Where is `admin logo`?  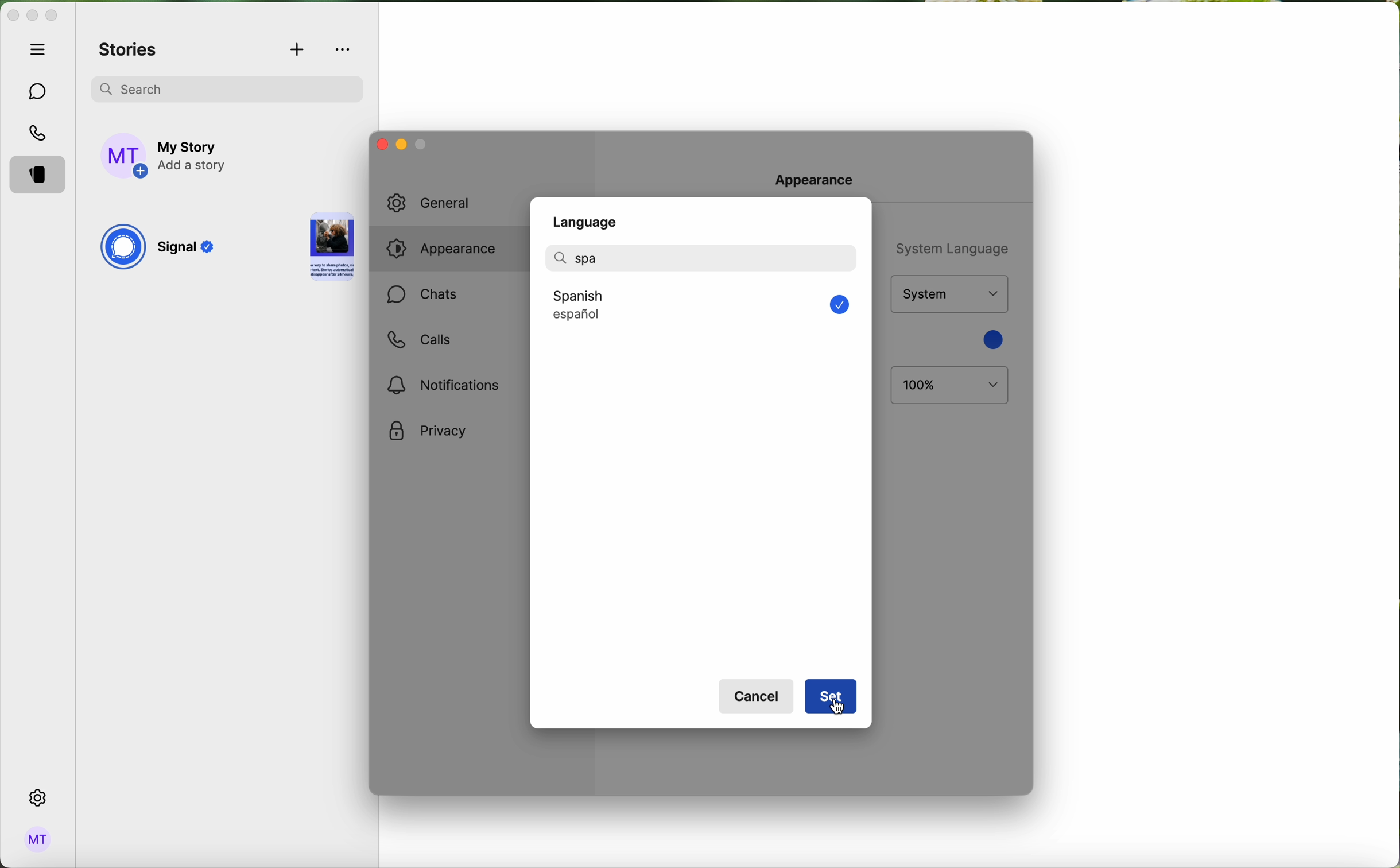
admin logo is located at coordinates (36, 840).